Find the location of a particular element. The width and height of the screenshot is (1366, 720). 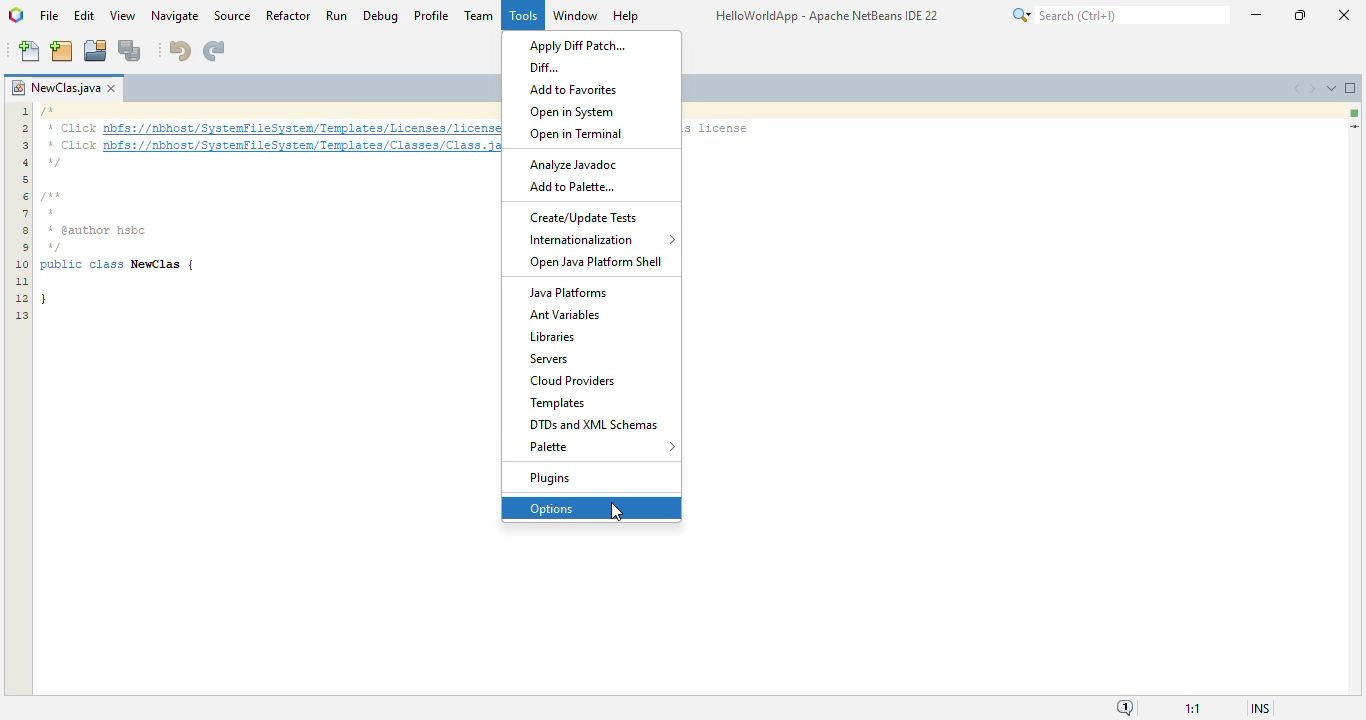

add to palette is located at coordinates (572, 187).